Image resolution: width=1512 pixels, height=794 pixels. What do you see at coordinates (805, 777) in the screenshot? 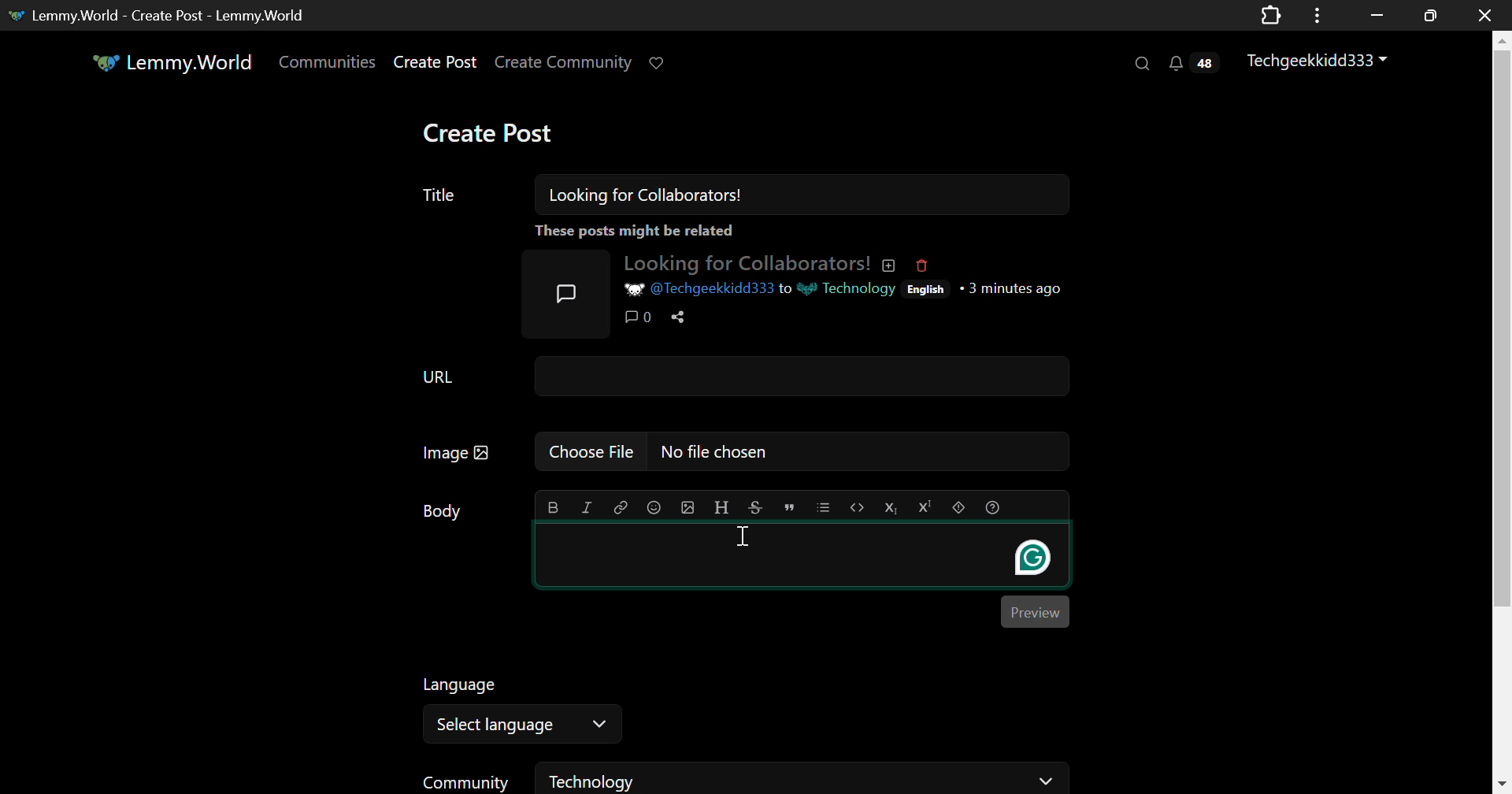
I see `Technology` at bounding box center [805, 777].